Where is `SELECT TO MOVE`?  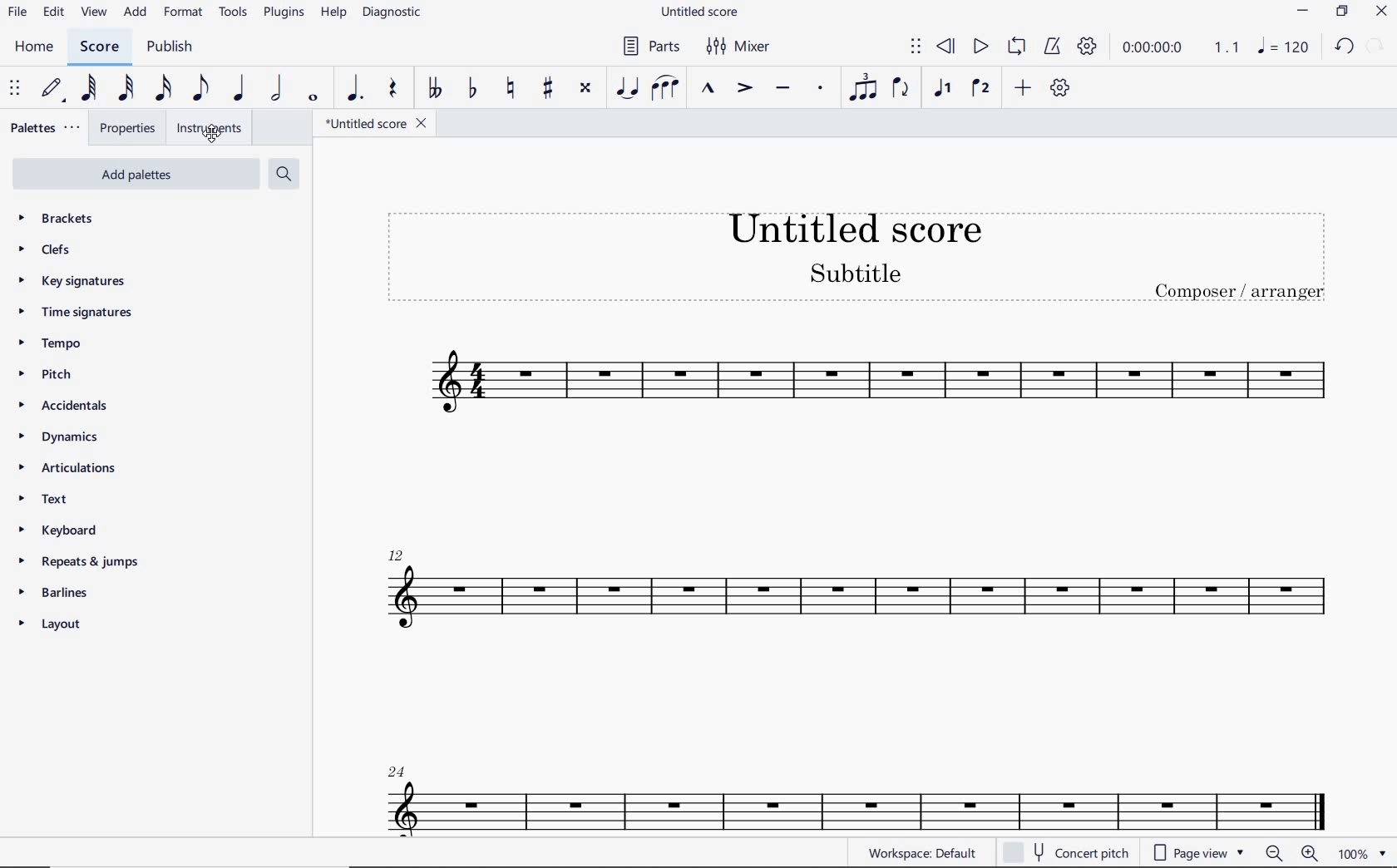 SELECT TO MOVE is located at coordinates (15, 91).